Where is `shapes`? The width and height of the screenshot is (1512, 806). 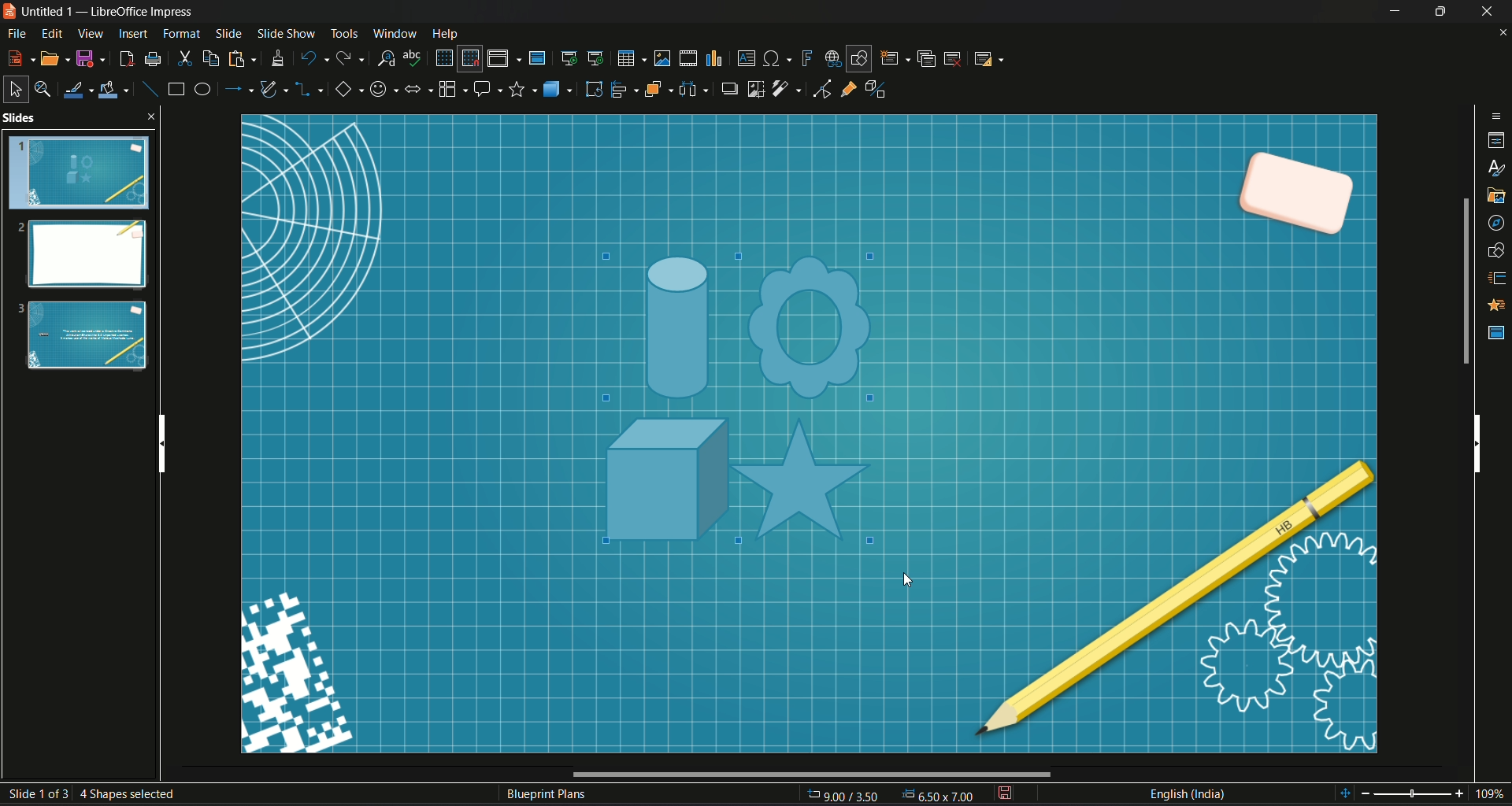 shapes is located at coordinates (1497, 251).